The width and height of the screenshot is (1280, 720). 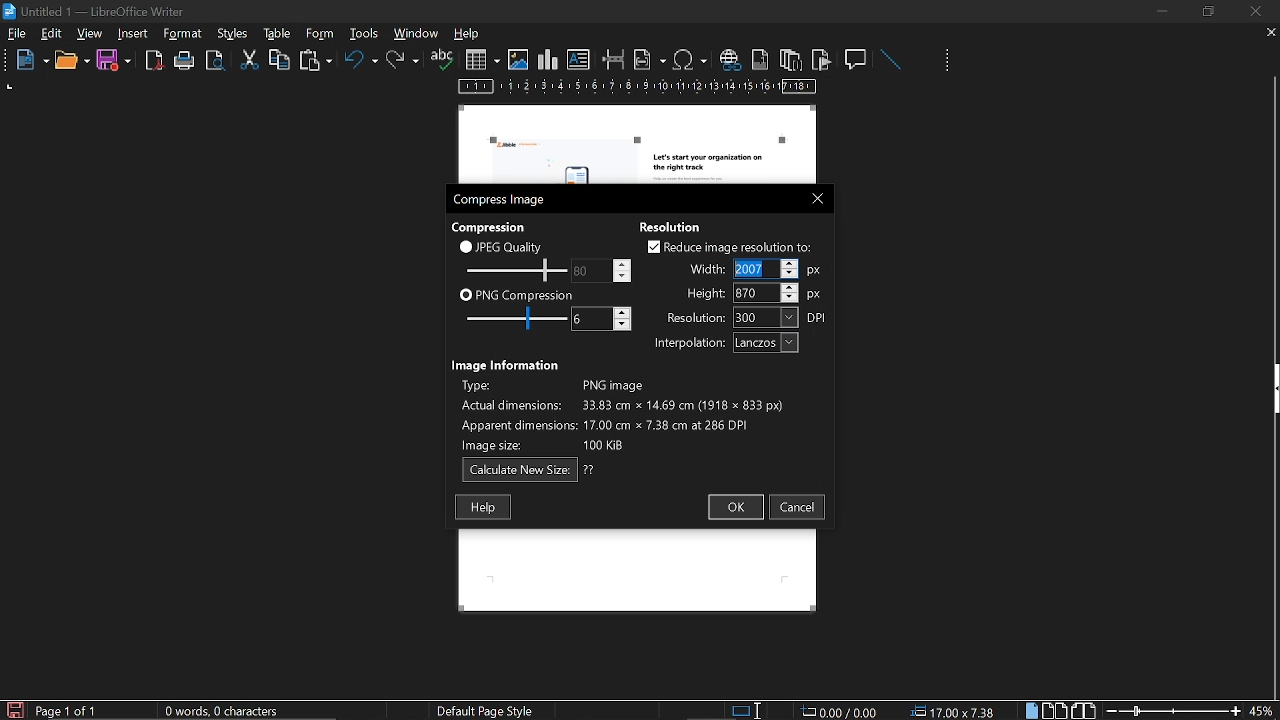 I want to click on png compression scale, so click(x=511, y=318).